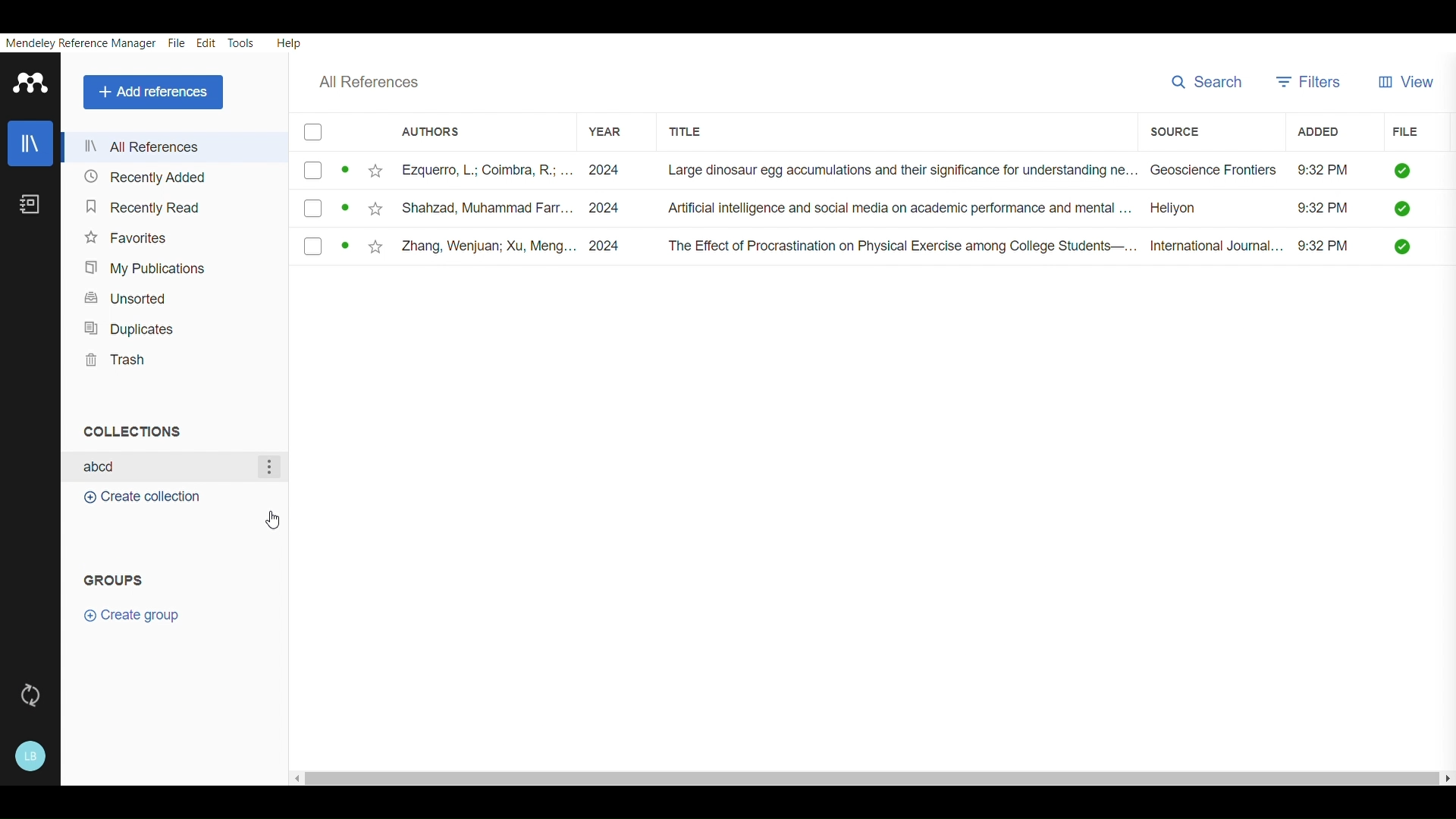  Describe the element at coordinates (276, 519) in the screenshot. I see `Cursor` at that location.